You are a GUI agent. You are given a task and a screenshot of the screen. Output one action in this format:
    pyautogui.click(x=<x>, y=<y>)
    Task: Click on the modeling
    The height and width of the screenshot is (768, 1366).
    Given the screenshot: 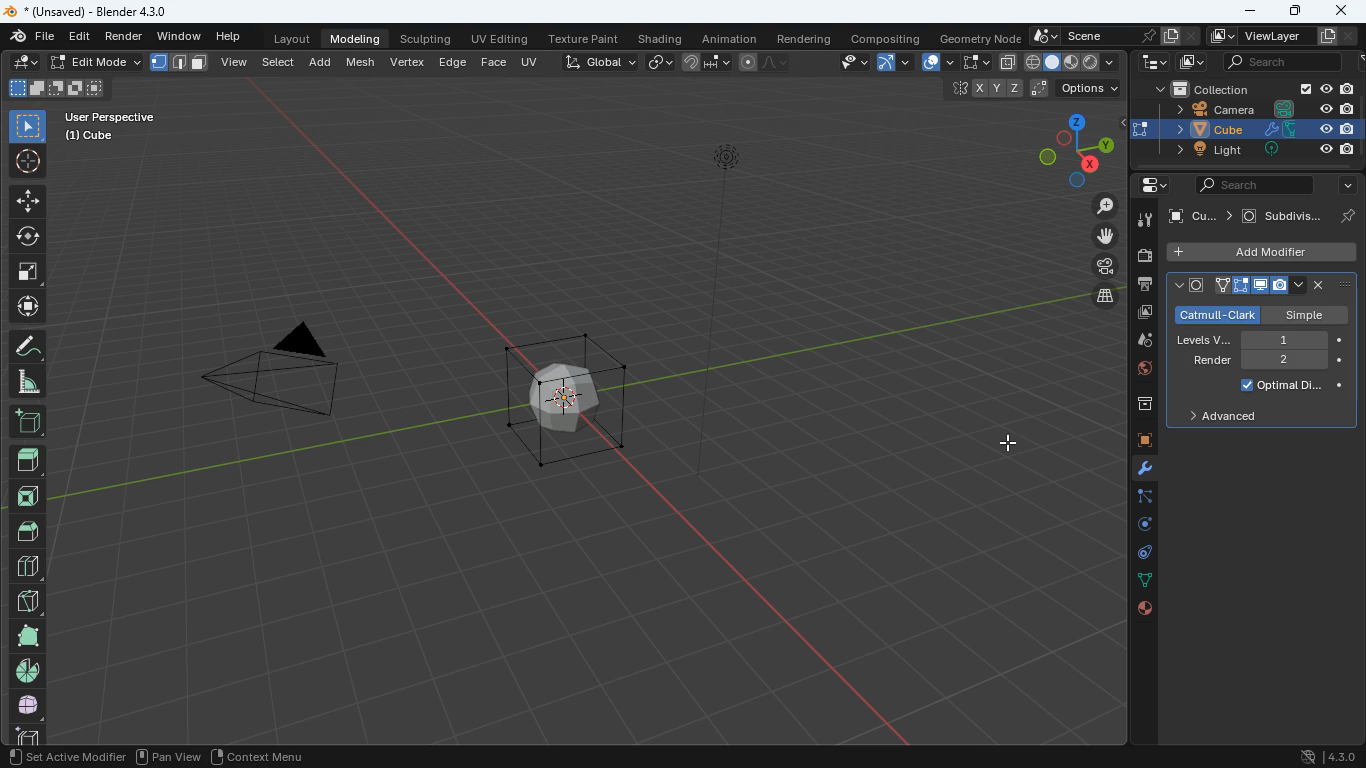 What is the action you would take?
    pyautogui.click(x=361, y=38)
    